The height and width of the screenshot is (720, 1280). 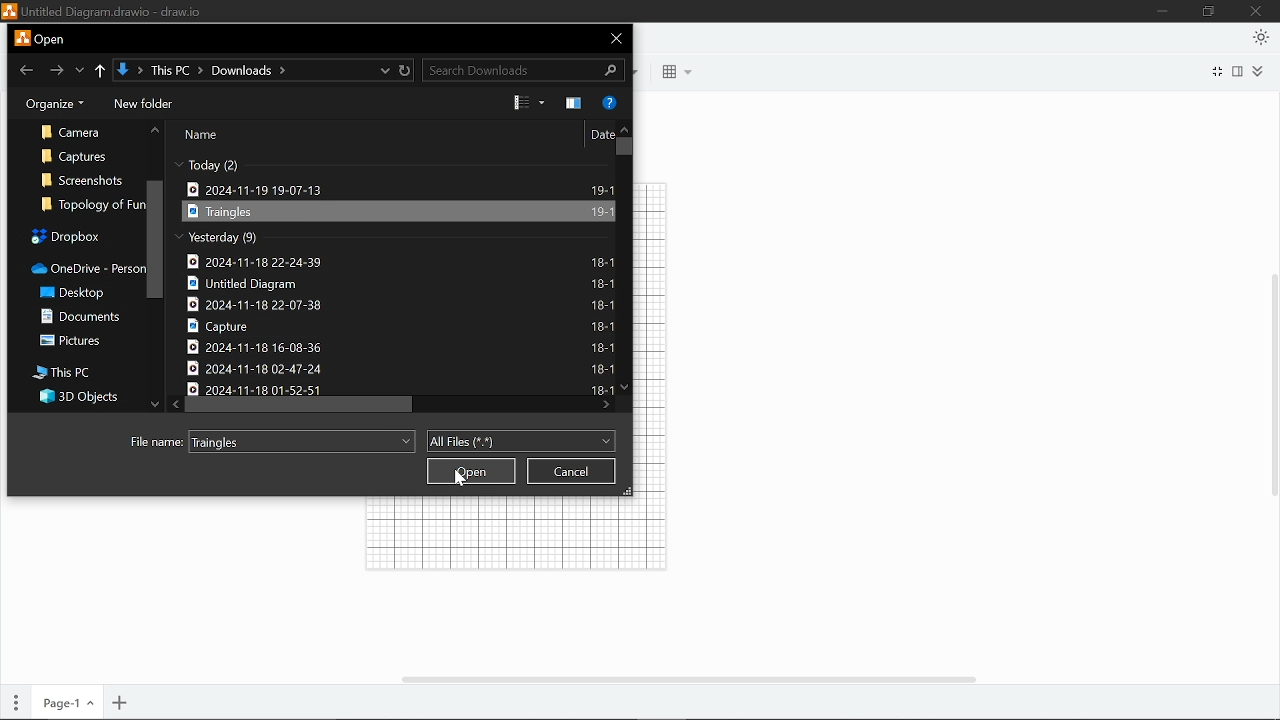 I want to click on Name, so click(x=203, y=135).